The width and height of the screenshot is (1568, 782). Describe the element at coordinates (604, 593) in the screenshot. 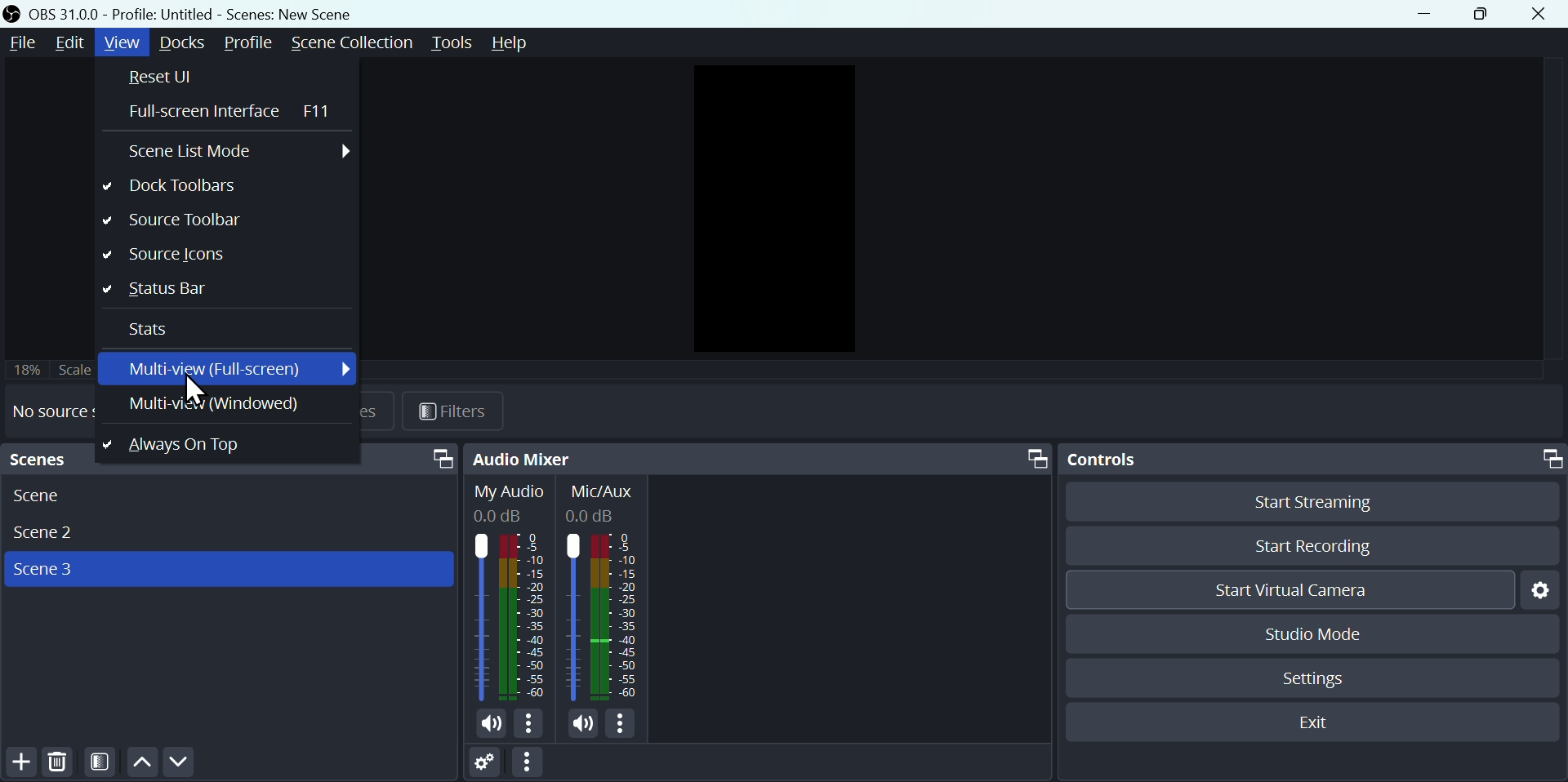

I see `Mic/Aux` at that location.